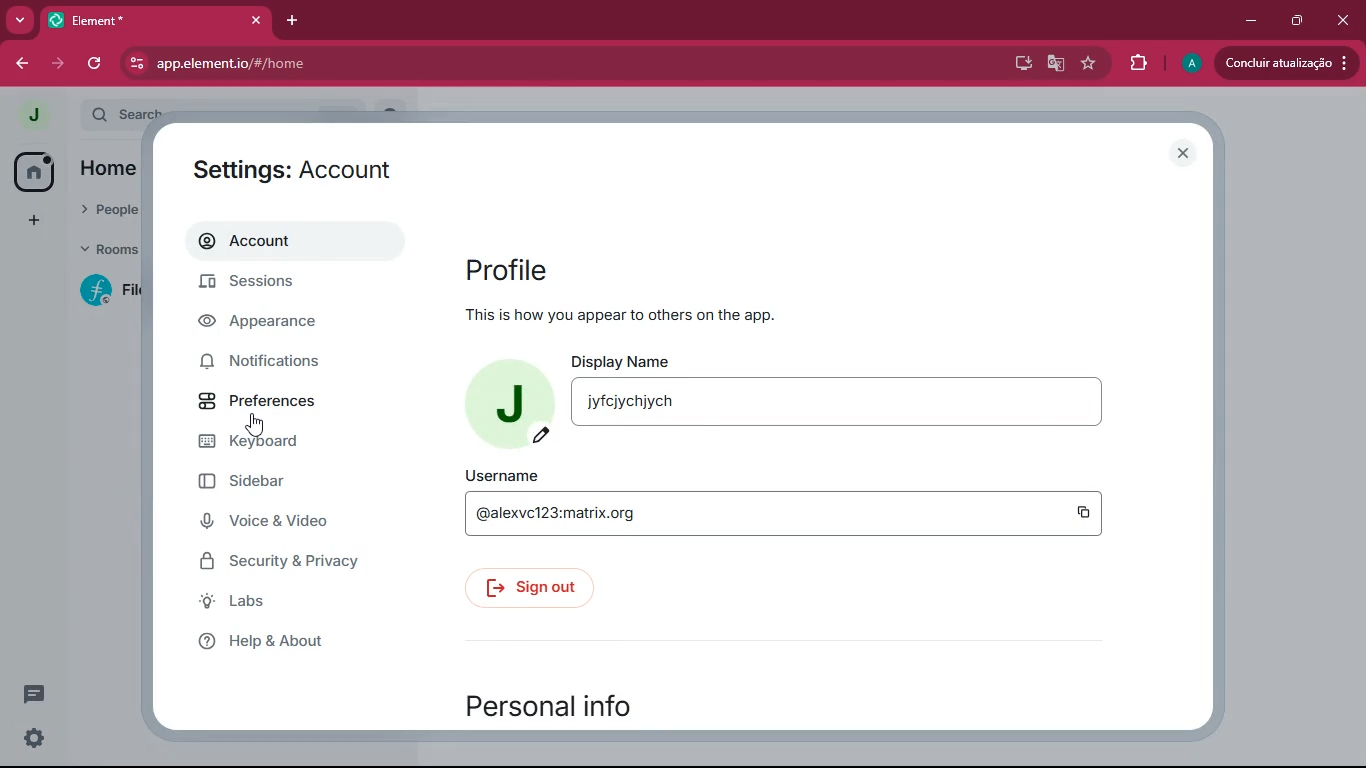  What do you see at coordinates (1287, 62) in the screenshot?
I see `concluir atualizacao` at bounding box center [1287, 62].